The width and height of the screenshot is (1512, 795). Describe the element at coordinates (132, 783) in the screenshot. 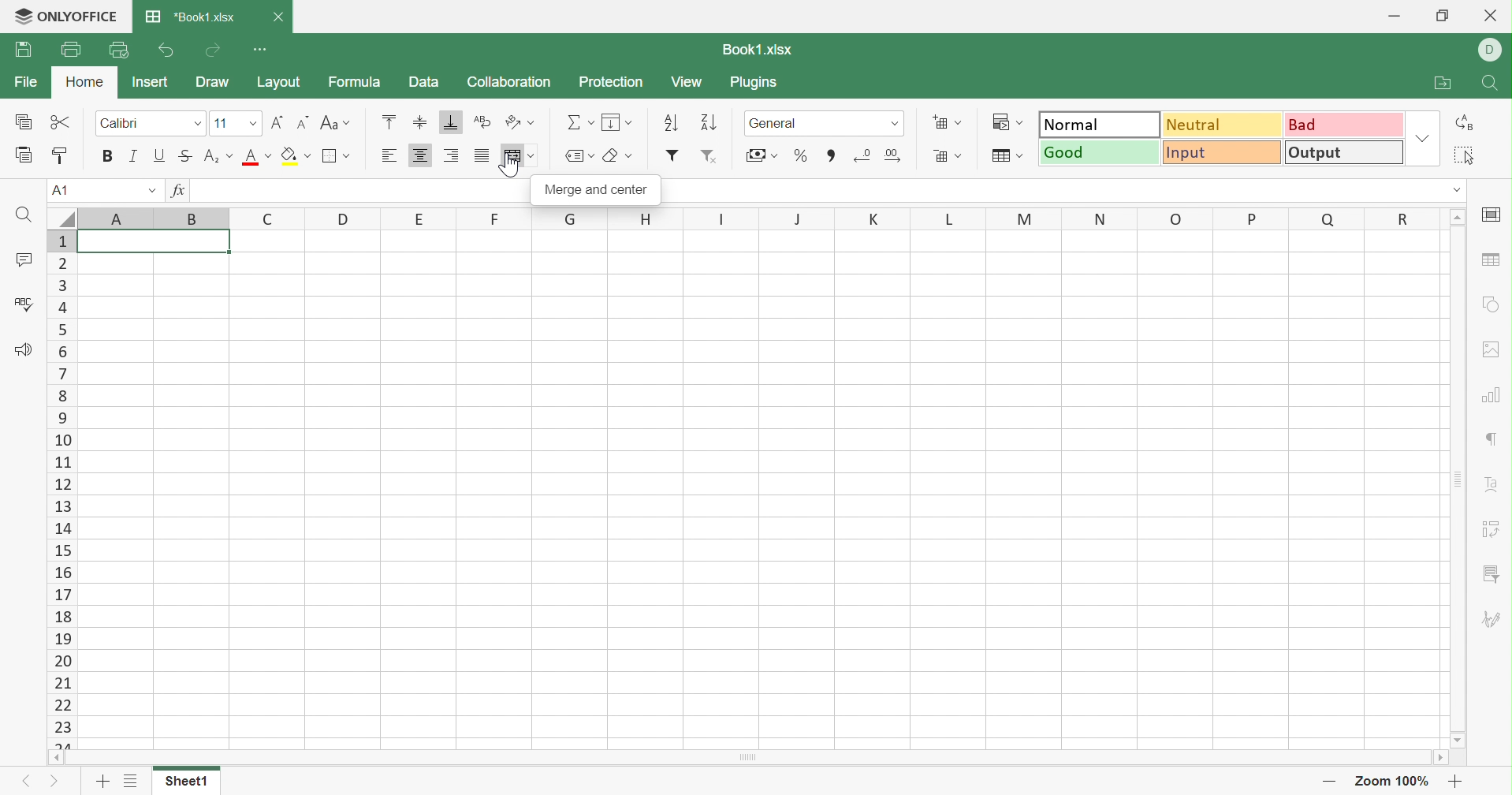

I see `List of sheets` at that location.